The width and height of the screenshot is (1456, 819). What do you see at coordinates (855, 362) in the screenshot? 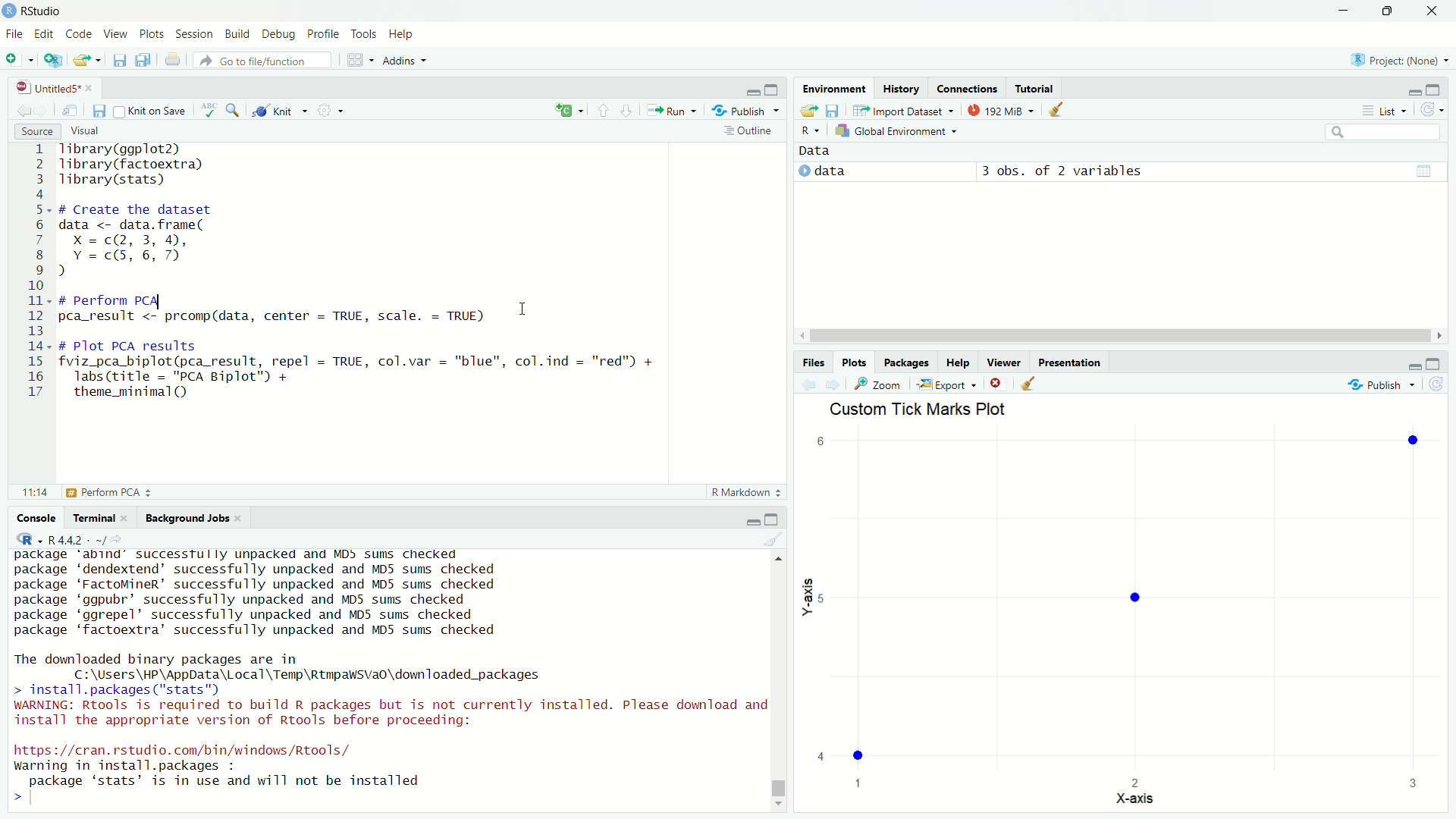
I see `Plots` at bounding box center [855, 362].